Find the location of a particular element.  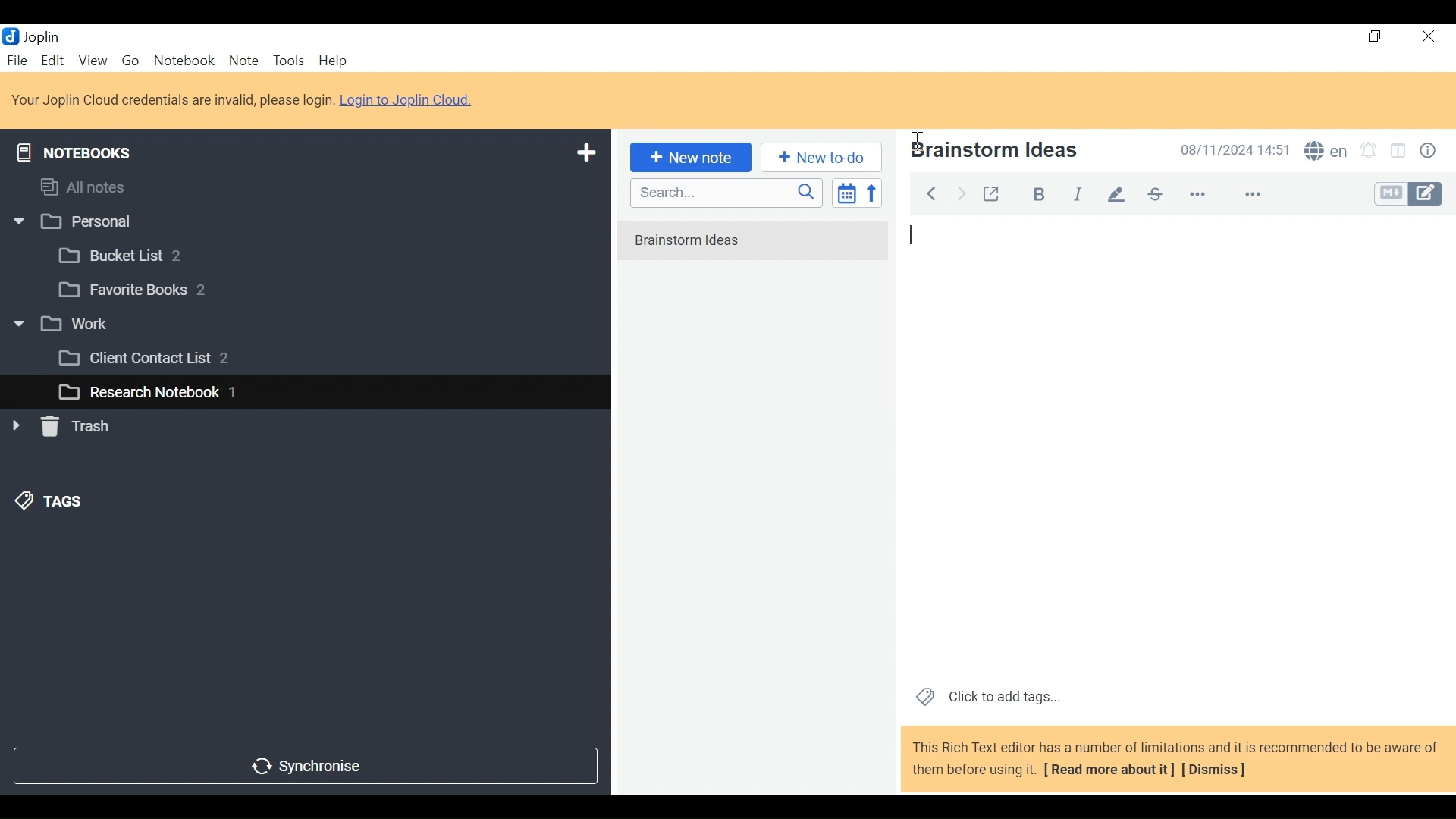

View is located at coordinates (93, 60).